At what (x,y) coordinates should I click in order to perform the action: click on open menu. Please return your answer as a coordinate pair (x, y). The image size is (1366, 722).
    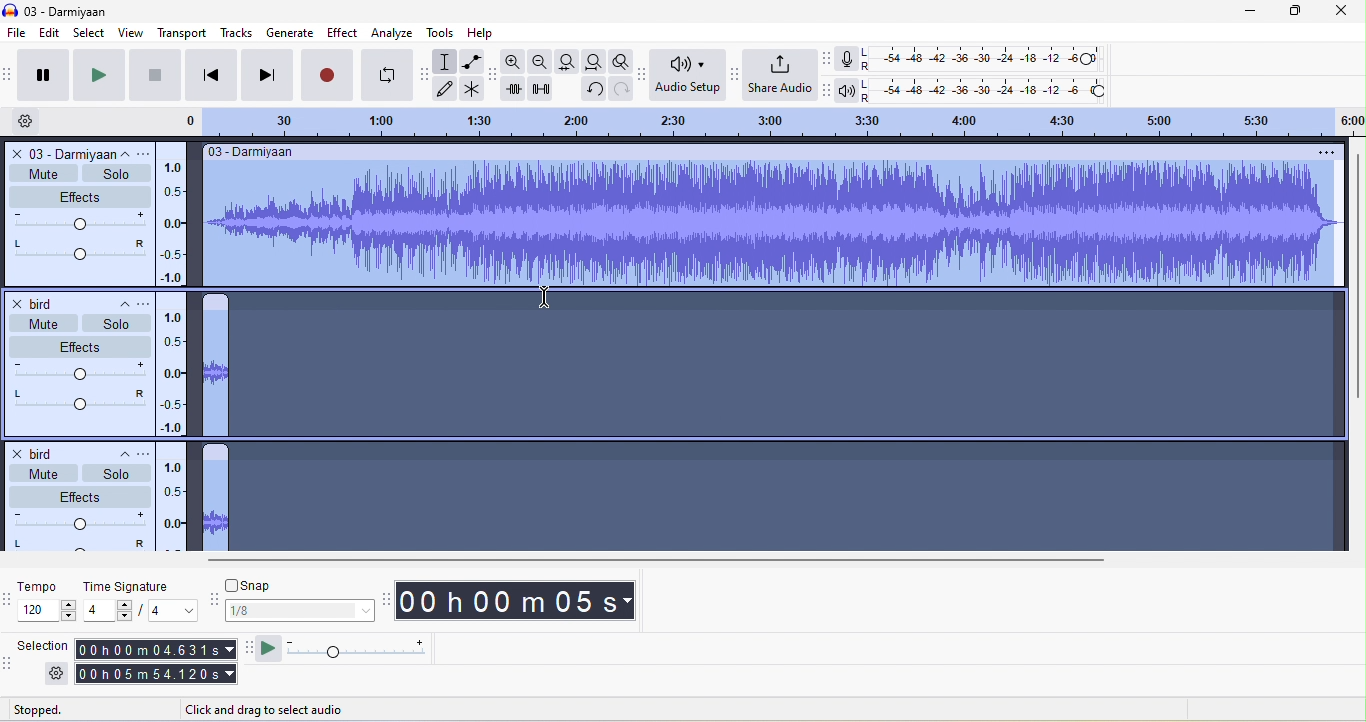
    Looking at the image, I should click on (149, 153).